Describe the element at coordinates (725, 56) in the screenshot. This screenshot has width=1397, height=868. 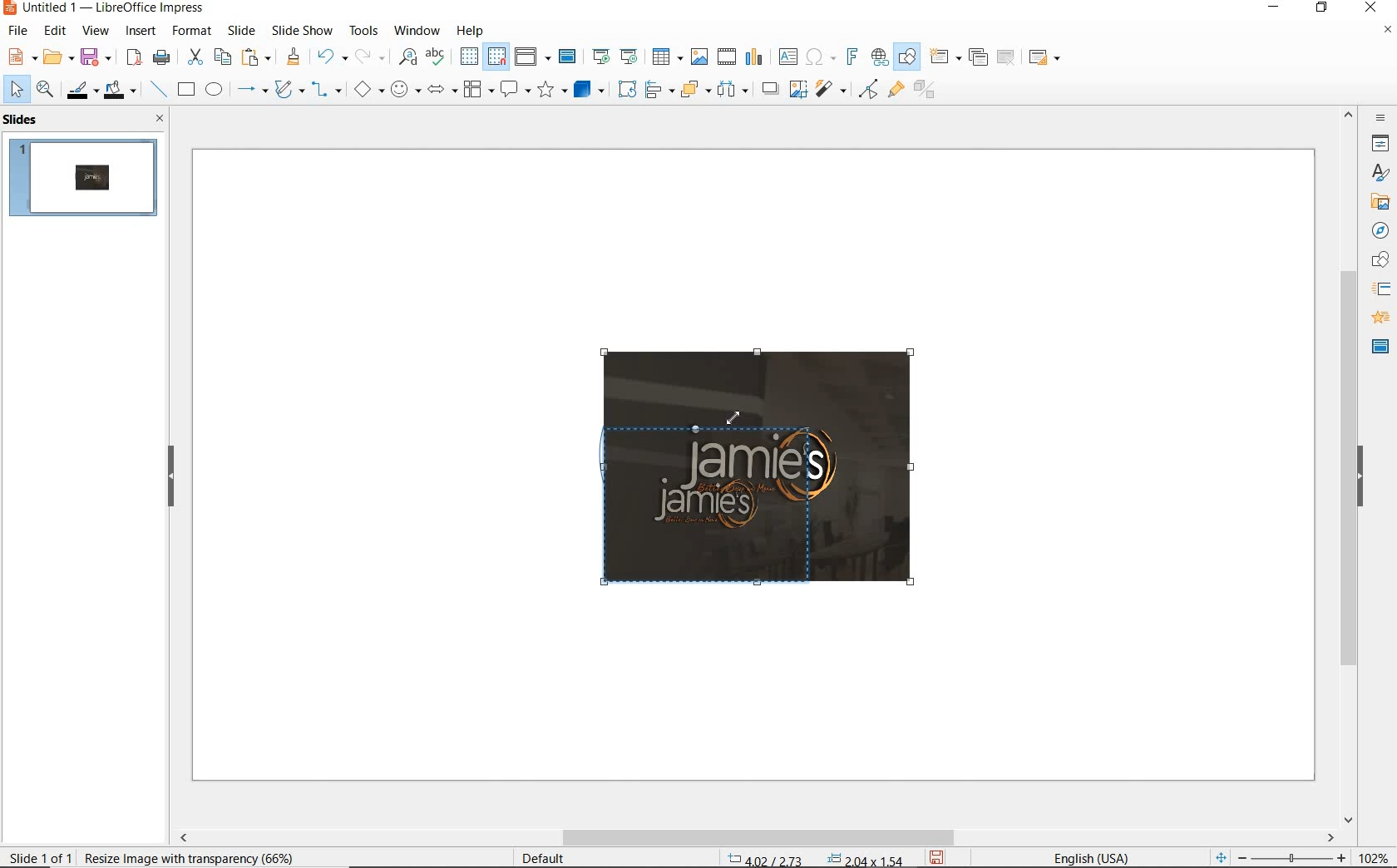
I see `insert video` at that location.